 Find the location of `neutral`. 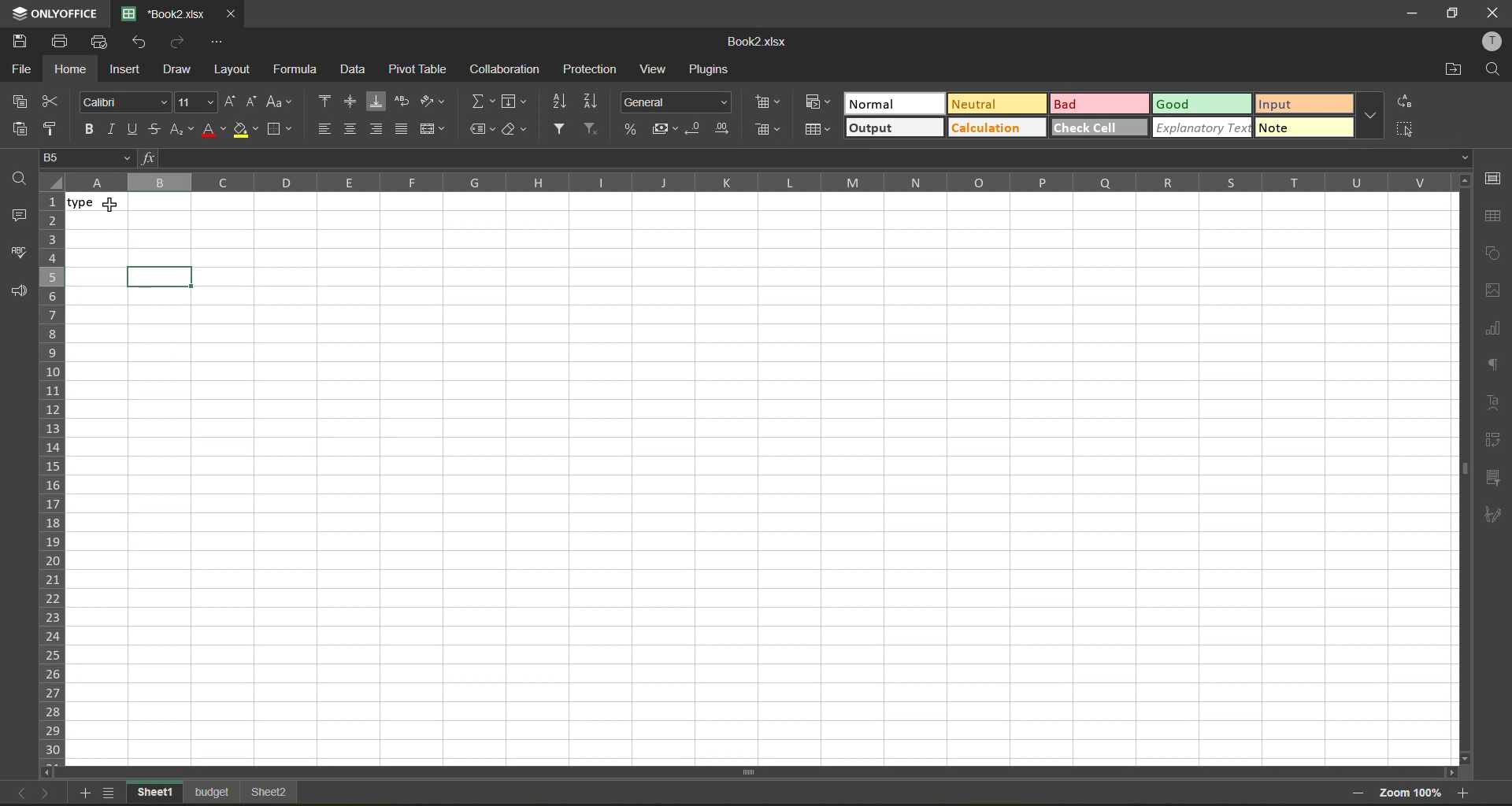

neutral is located at coordinates (995, 106).